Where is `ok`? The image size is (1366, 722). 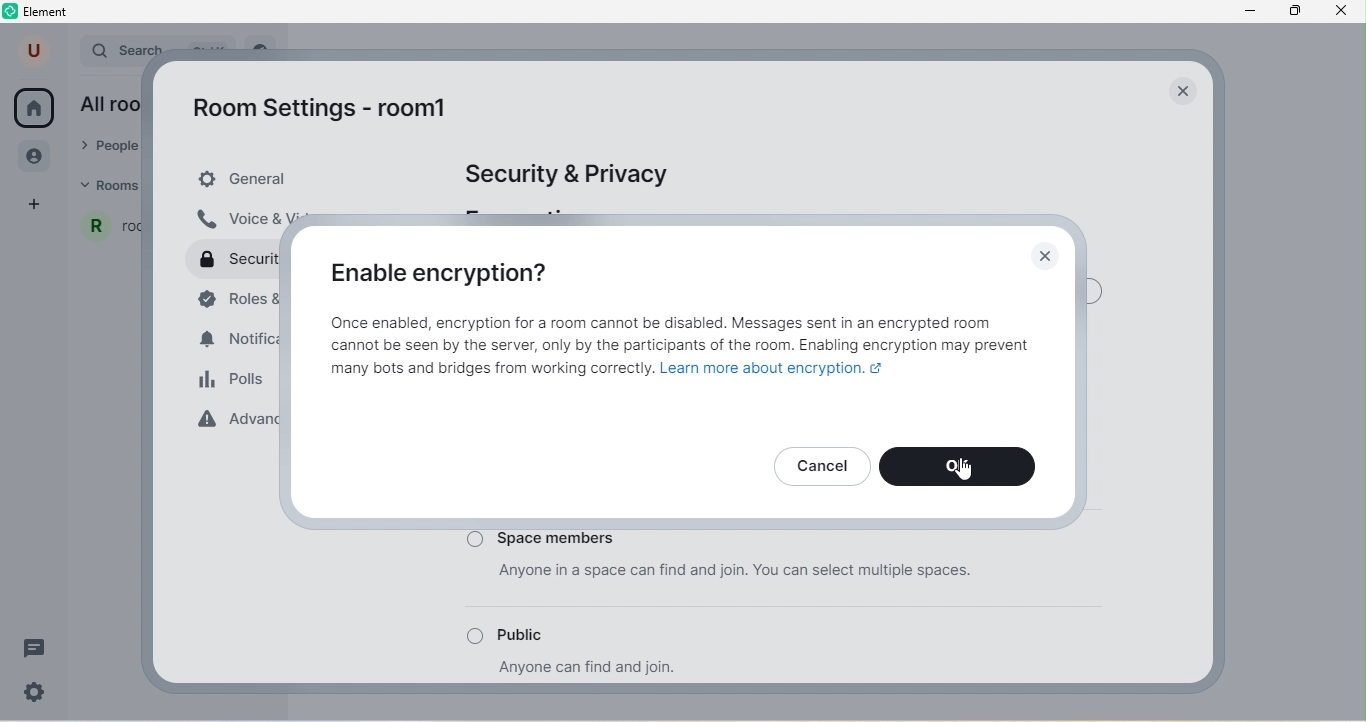 ok is located at coordinates (964, 467).